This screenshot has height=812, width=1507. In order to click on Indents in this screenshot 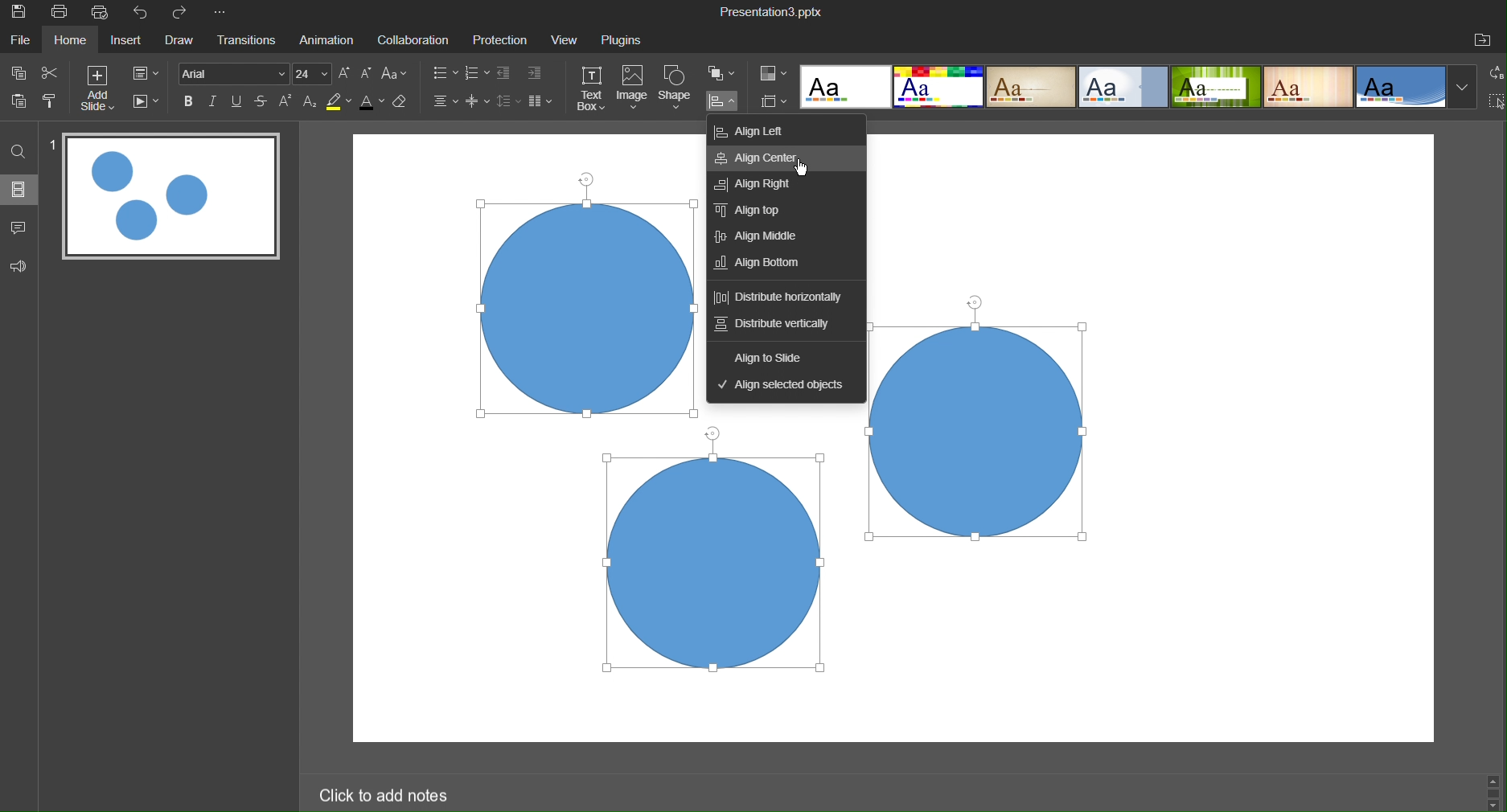, I will do `click(523, 74)`.